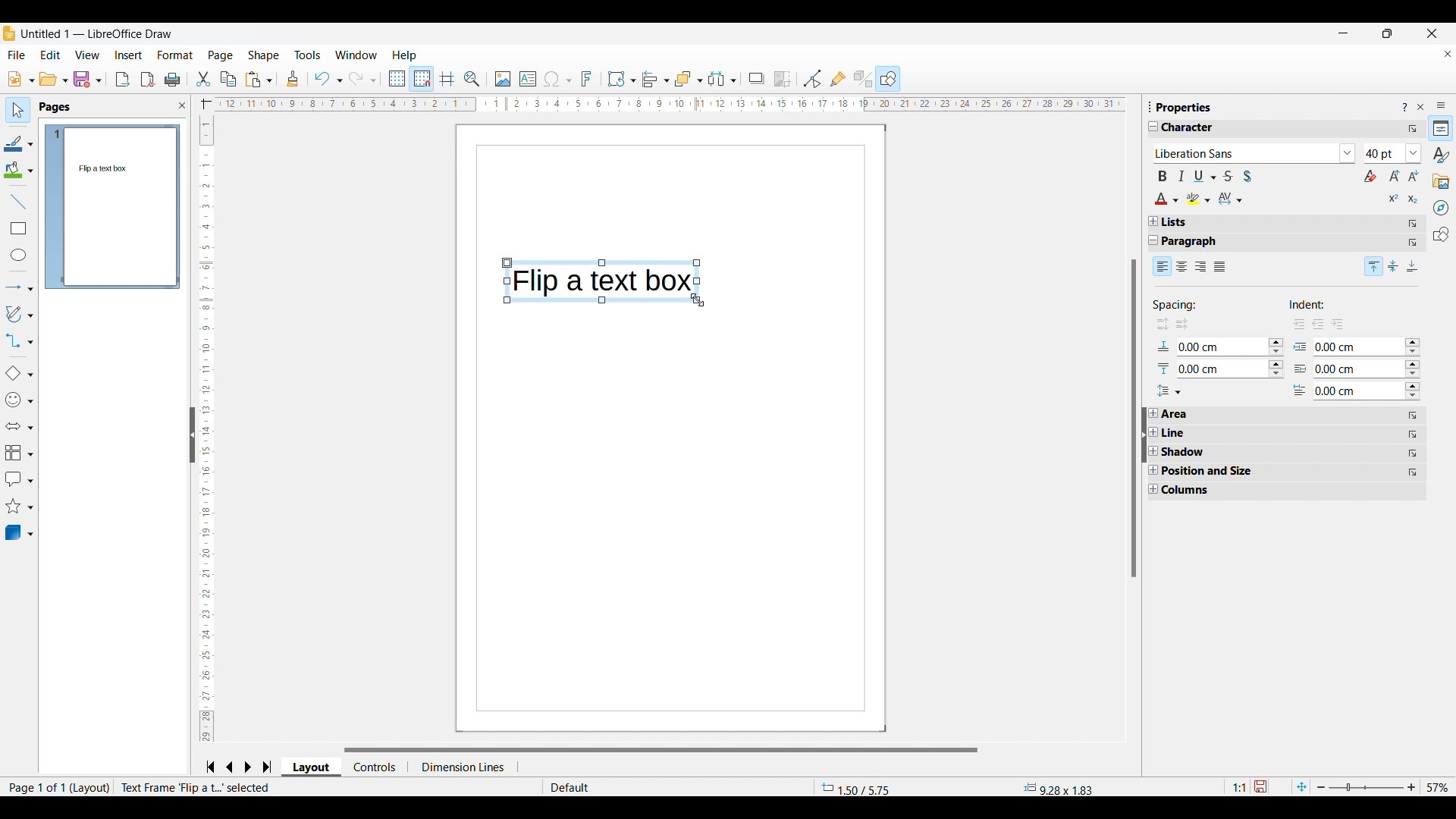 This screenshot has height=819, width=1456. I want to click on Super script , so click(1395, 198).